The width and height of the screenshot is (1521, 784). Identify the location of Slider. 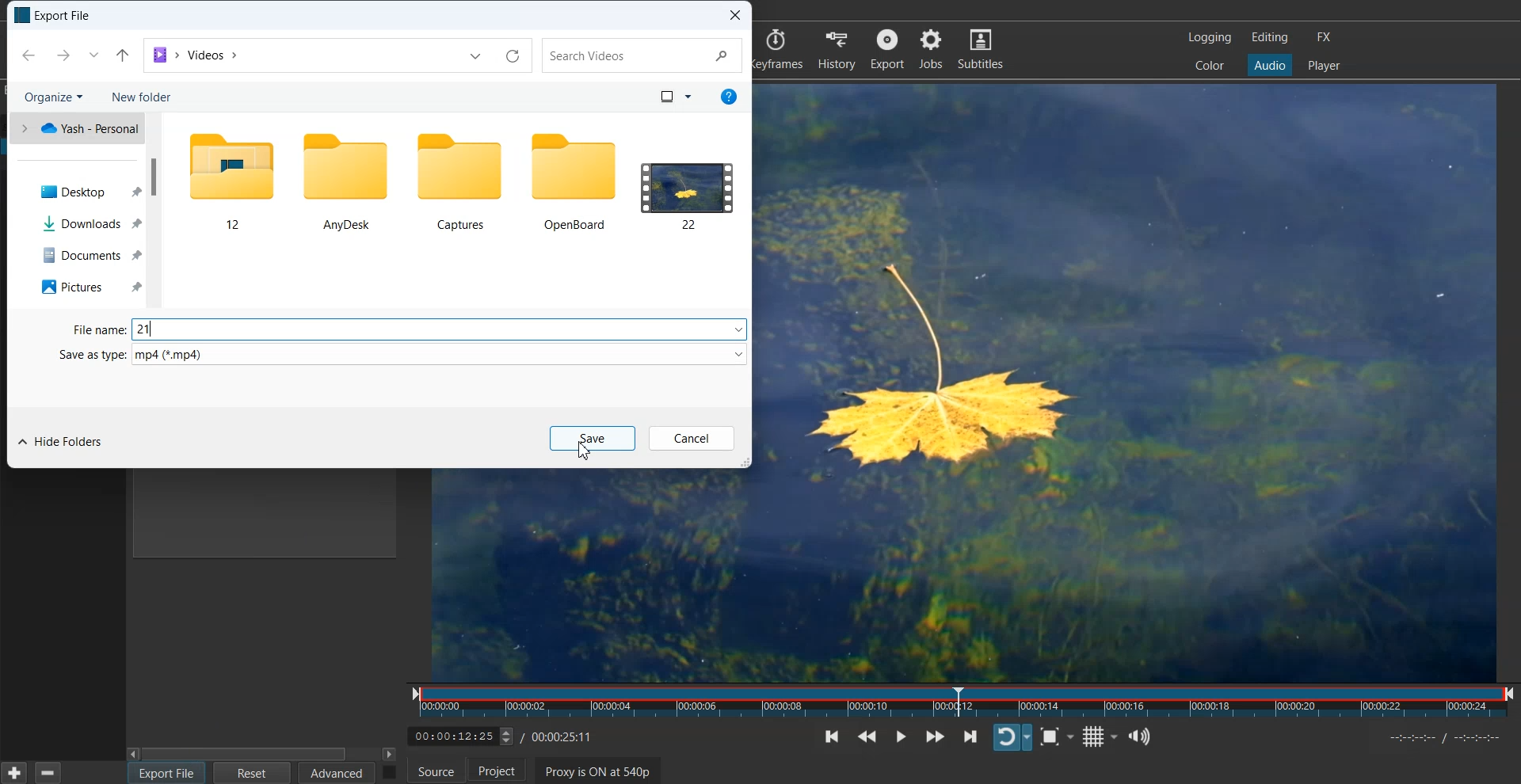
(966, 702).